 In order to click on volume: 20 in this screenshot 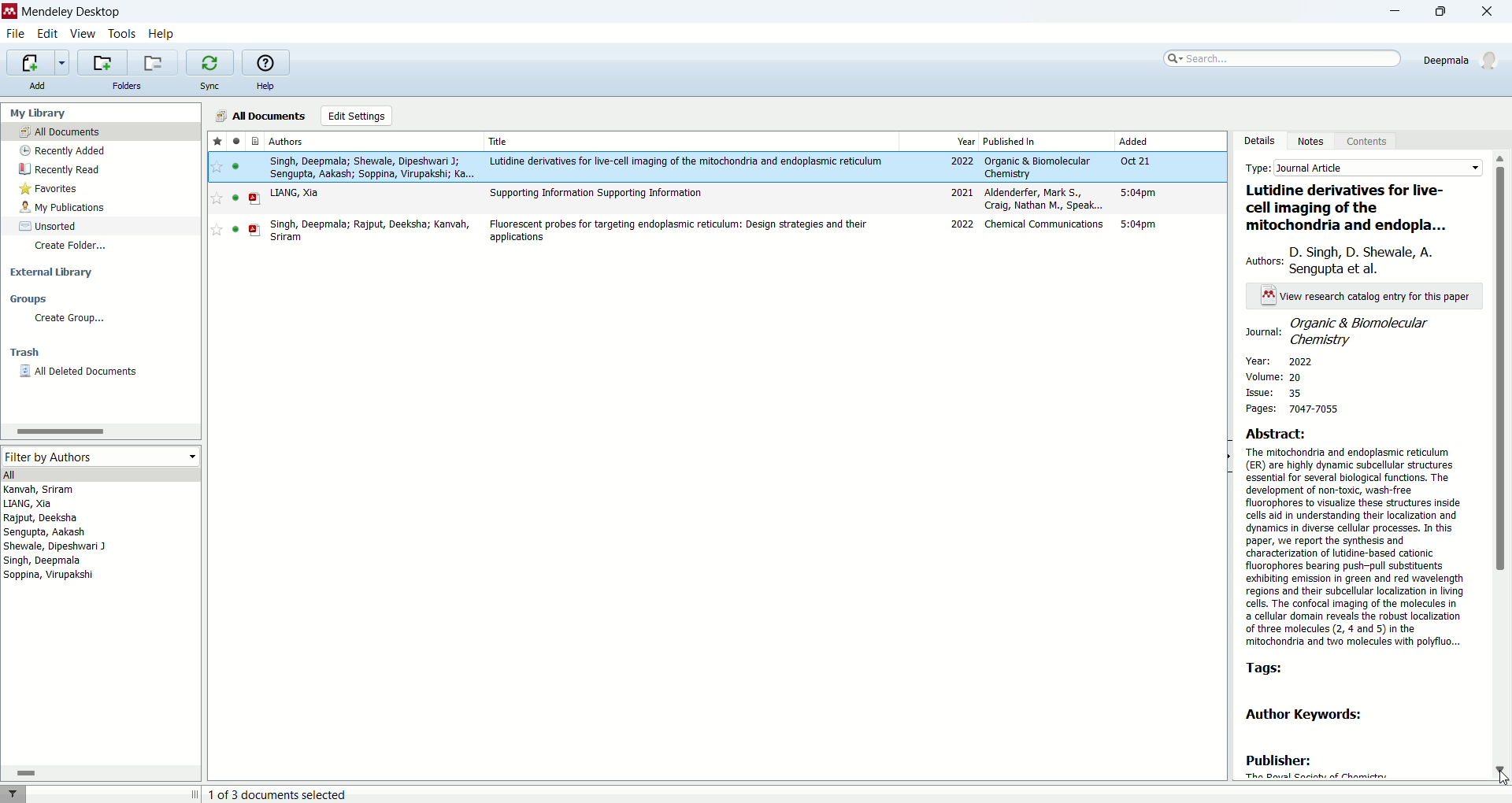, I will do `click(1295, 377)`.